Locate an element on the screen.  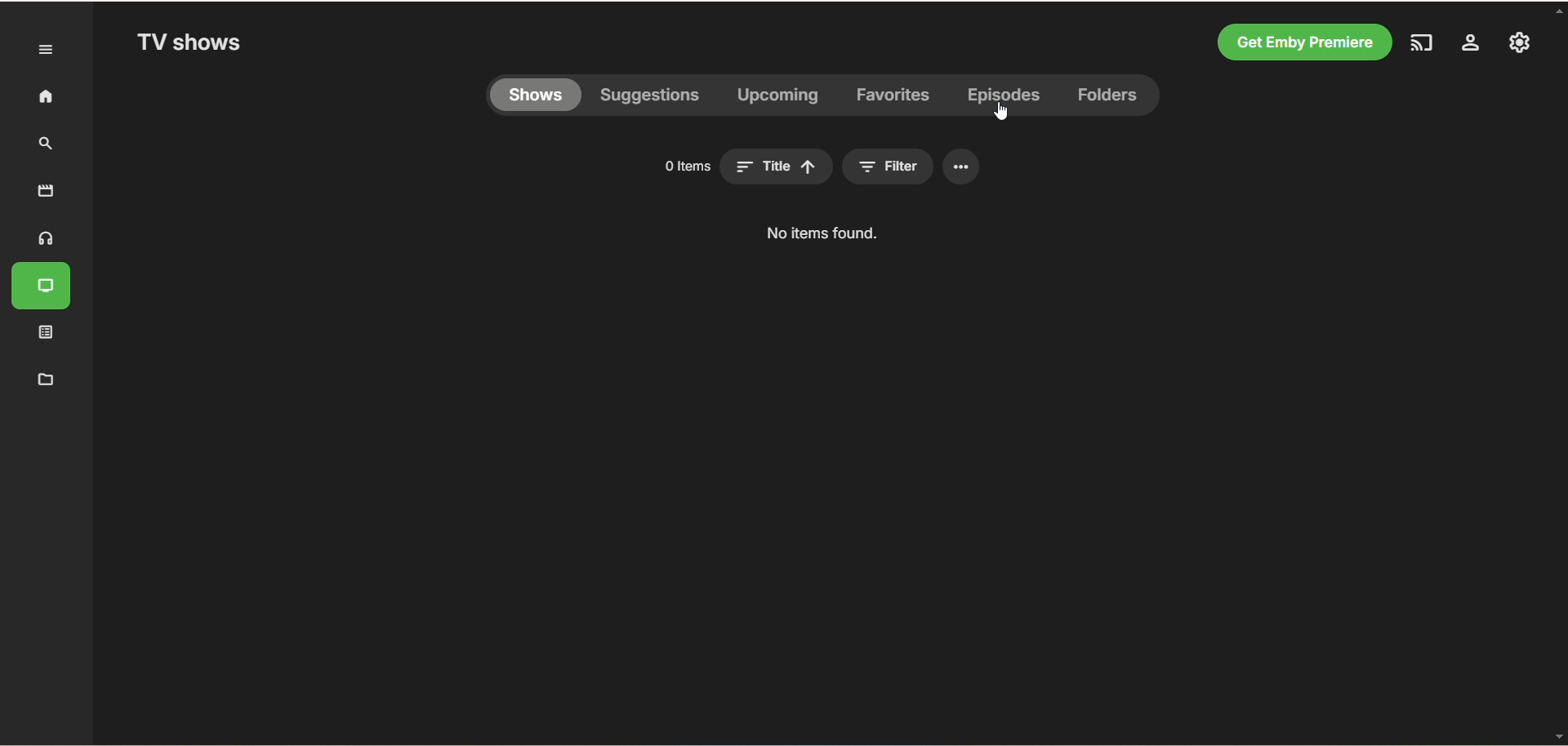
play on another device is located at coordinates (1420, 42).